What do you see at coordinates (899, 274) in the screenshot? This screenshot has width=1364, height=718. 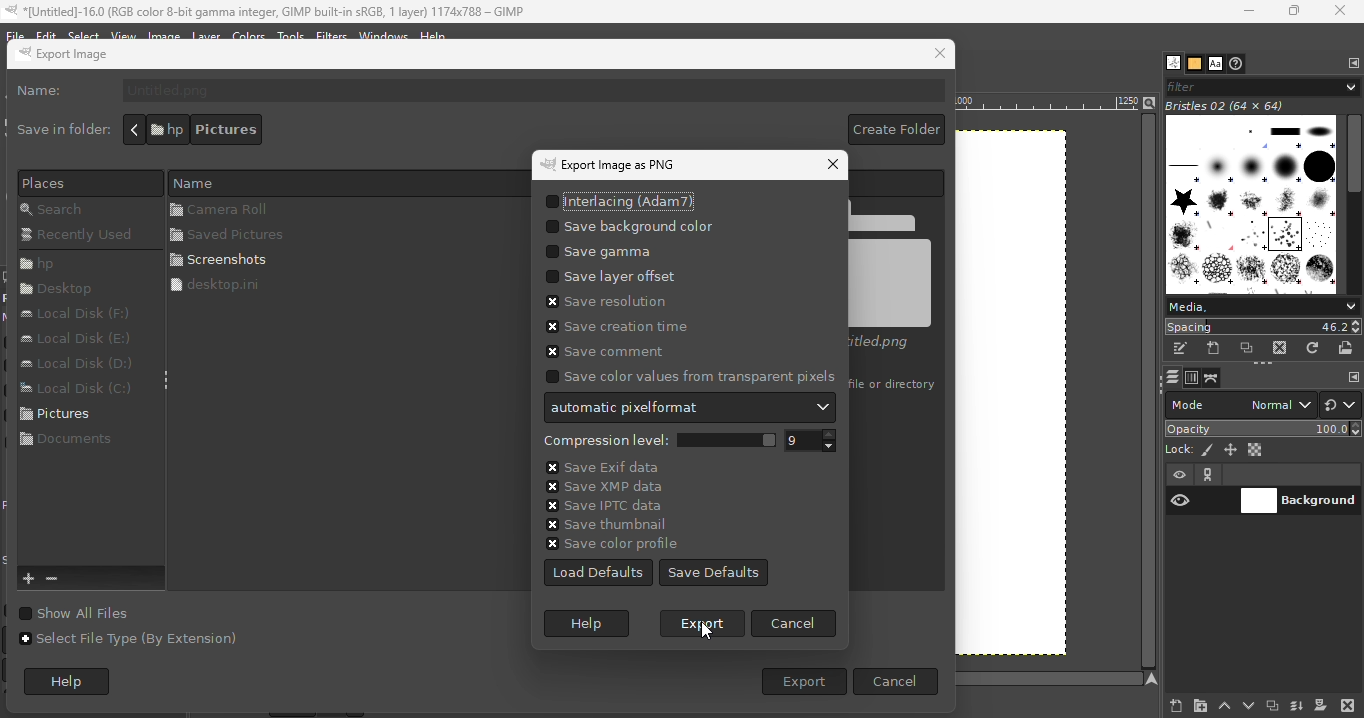 I see `Untitled.png` at bounding box center [899, 274].